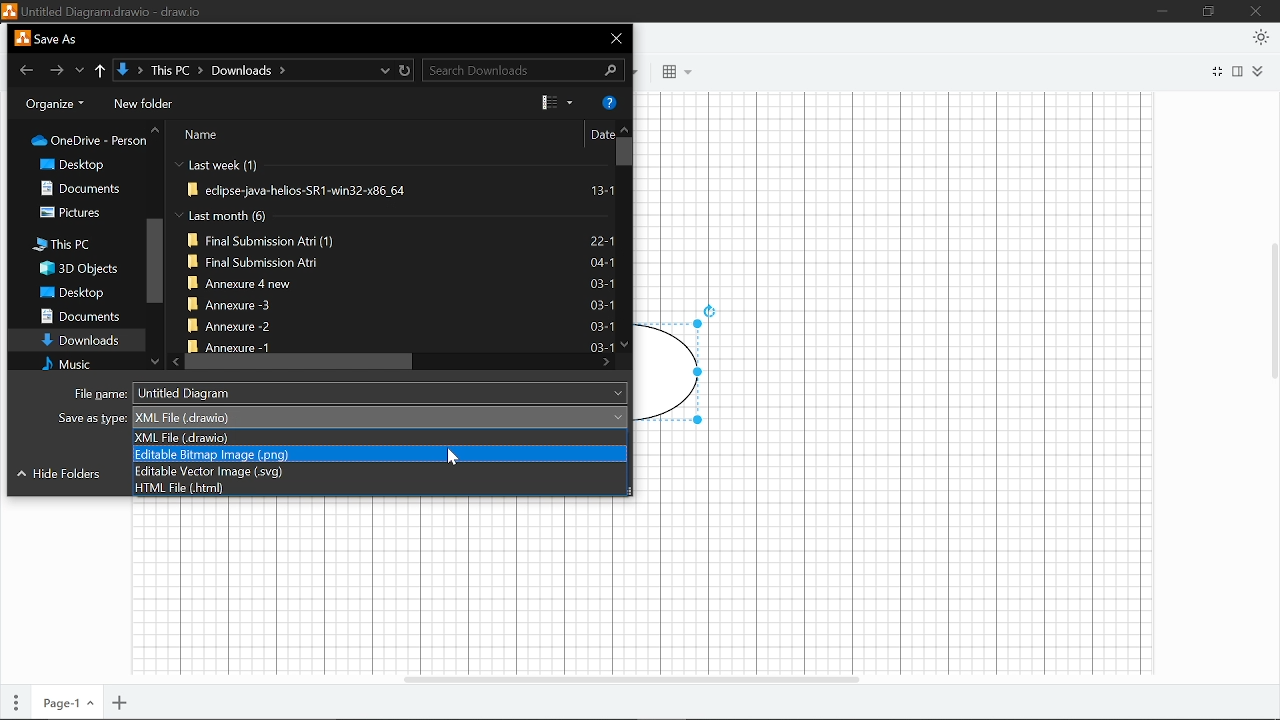  I want to click on This PC, so click(69, 244).